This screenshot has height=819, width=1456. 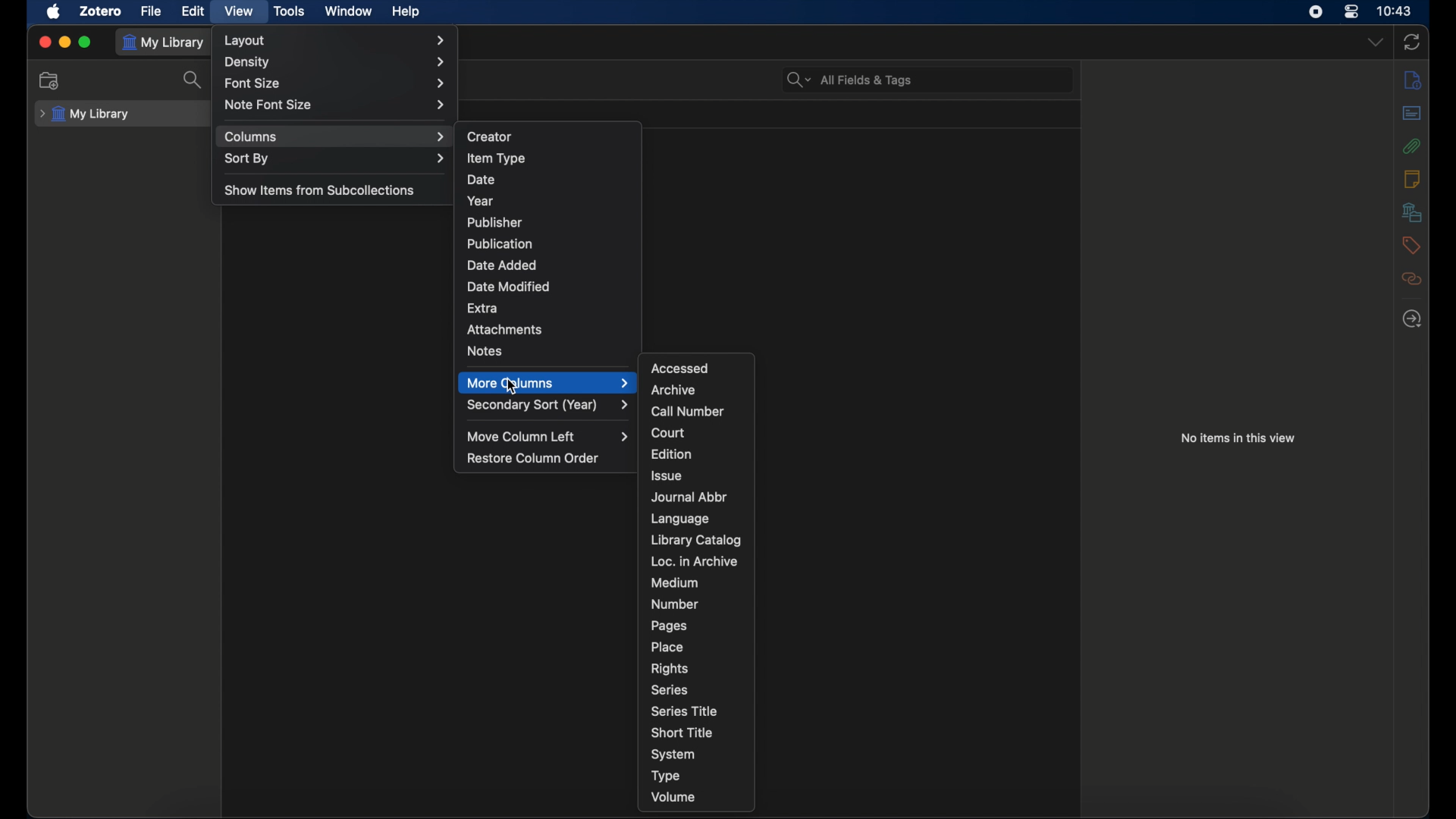 What do you see at coordinates (673, 389) in the screenshot?
I see `archive` at bounding box center [673, 389].